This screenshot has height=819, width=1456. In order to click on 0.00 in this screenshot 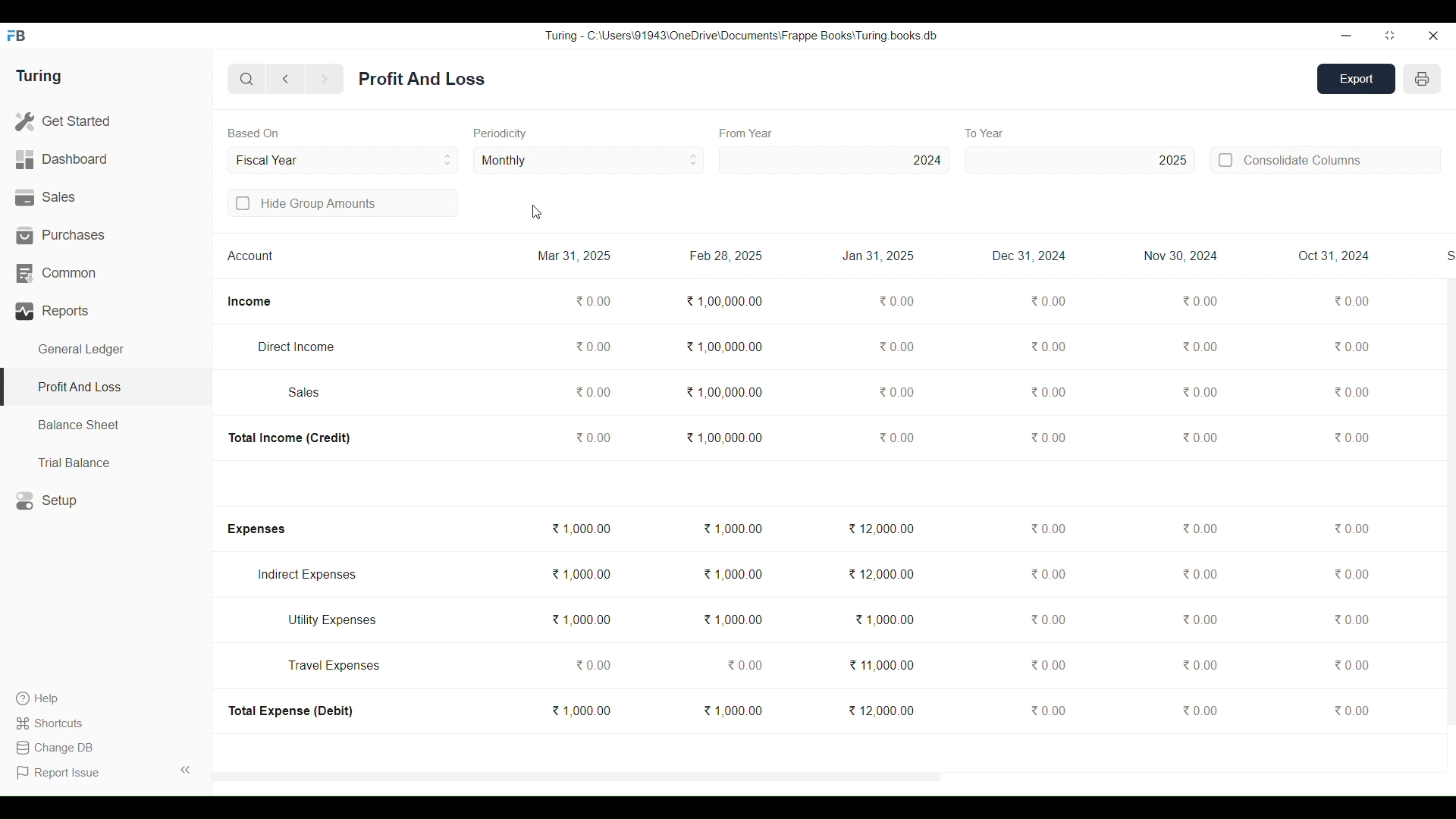, I will do `click(896, 347)`.